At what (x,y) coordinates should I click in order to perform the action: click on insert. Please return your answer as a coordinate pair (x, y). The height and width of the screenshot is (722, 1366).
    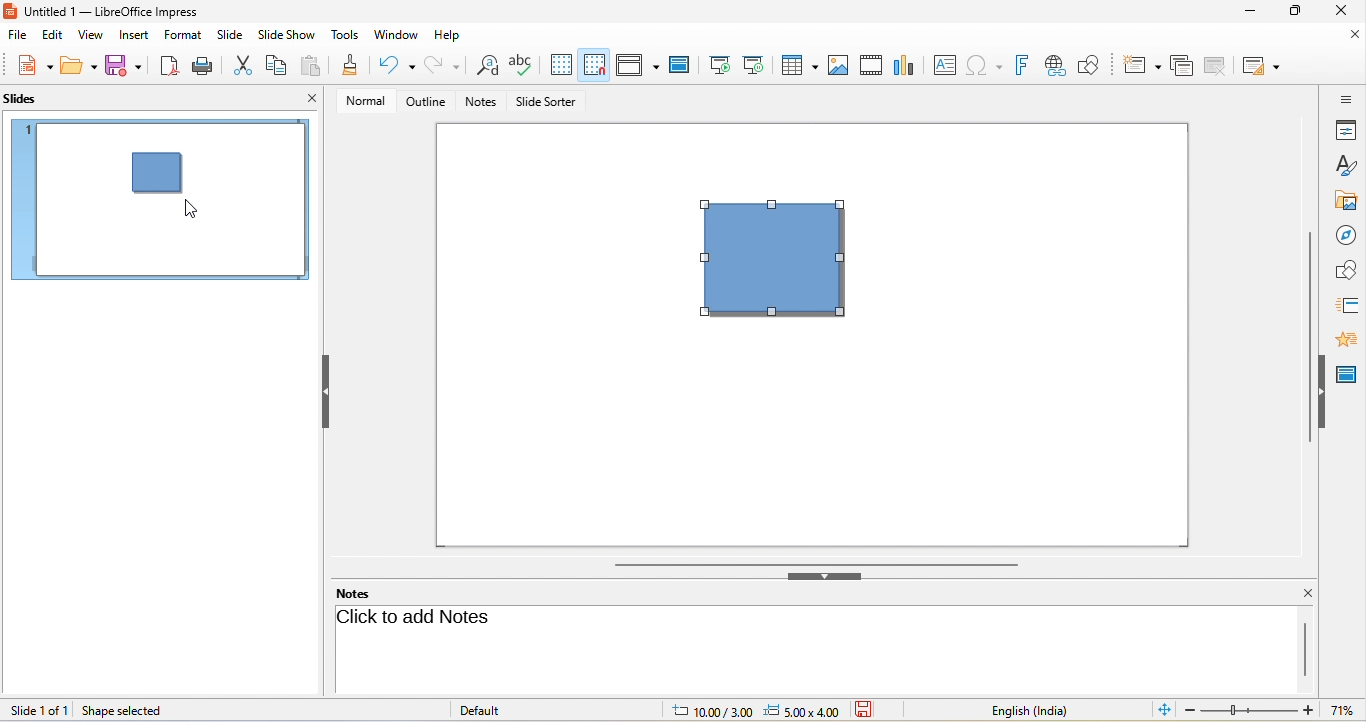
    Looking at the image, I should click on (139, 36).